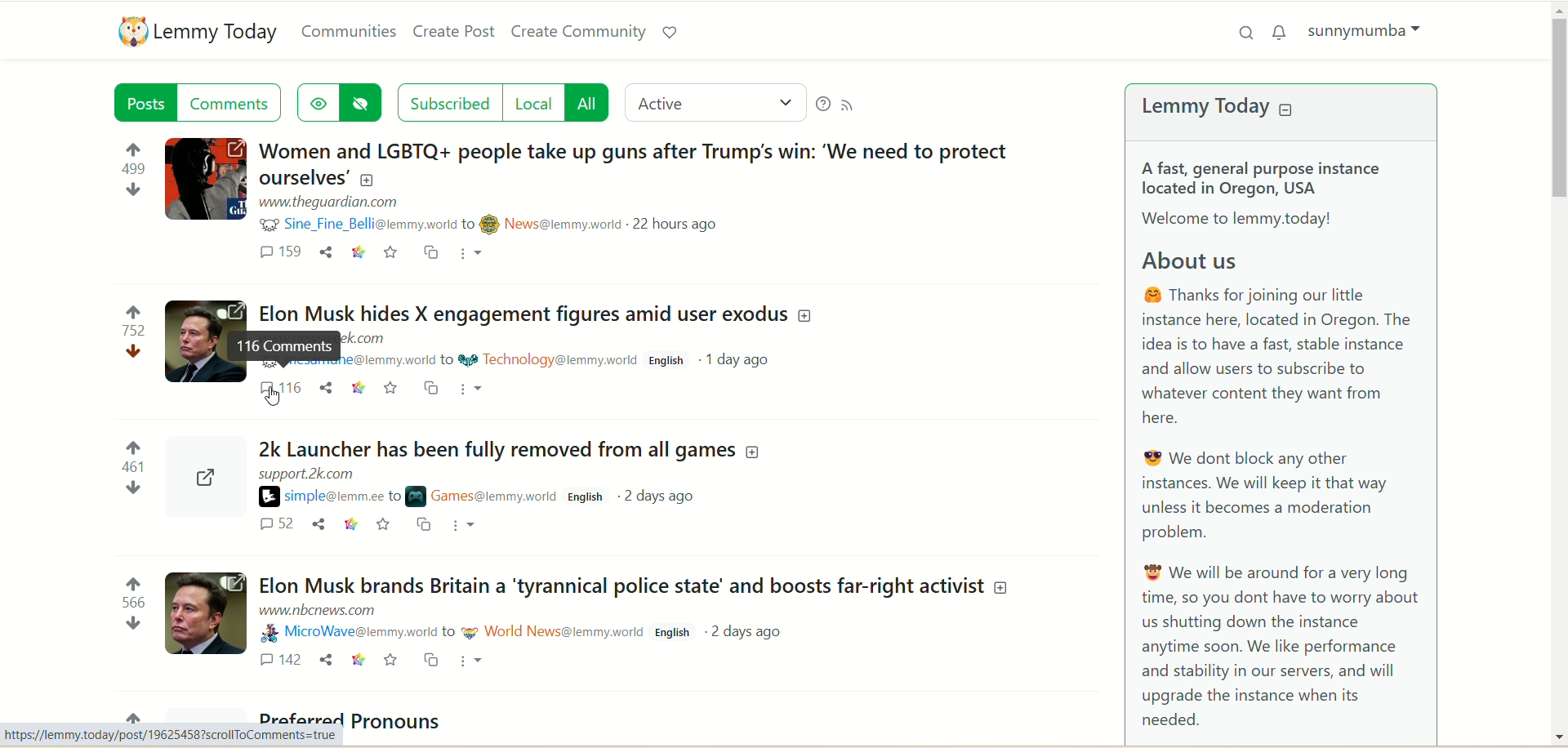  What do you see at coordinates (278, 523) in the screenshot?
I see `comment 52` at bounding box center [278, 523].